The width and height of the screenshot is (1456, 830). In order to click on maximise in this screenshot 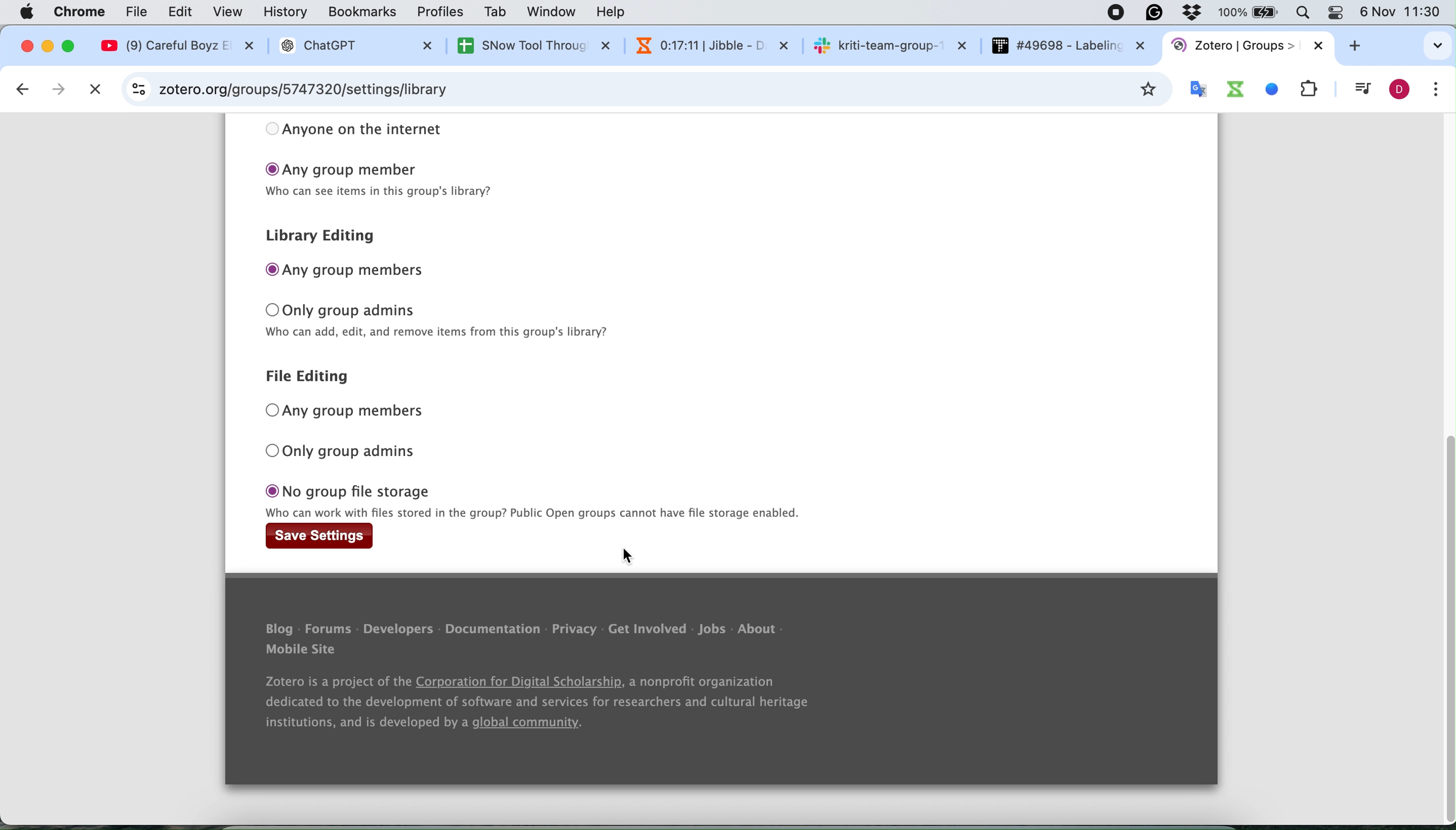, I will do `click(72, 44)`.